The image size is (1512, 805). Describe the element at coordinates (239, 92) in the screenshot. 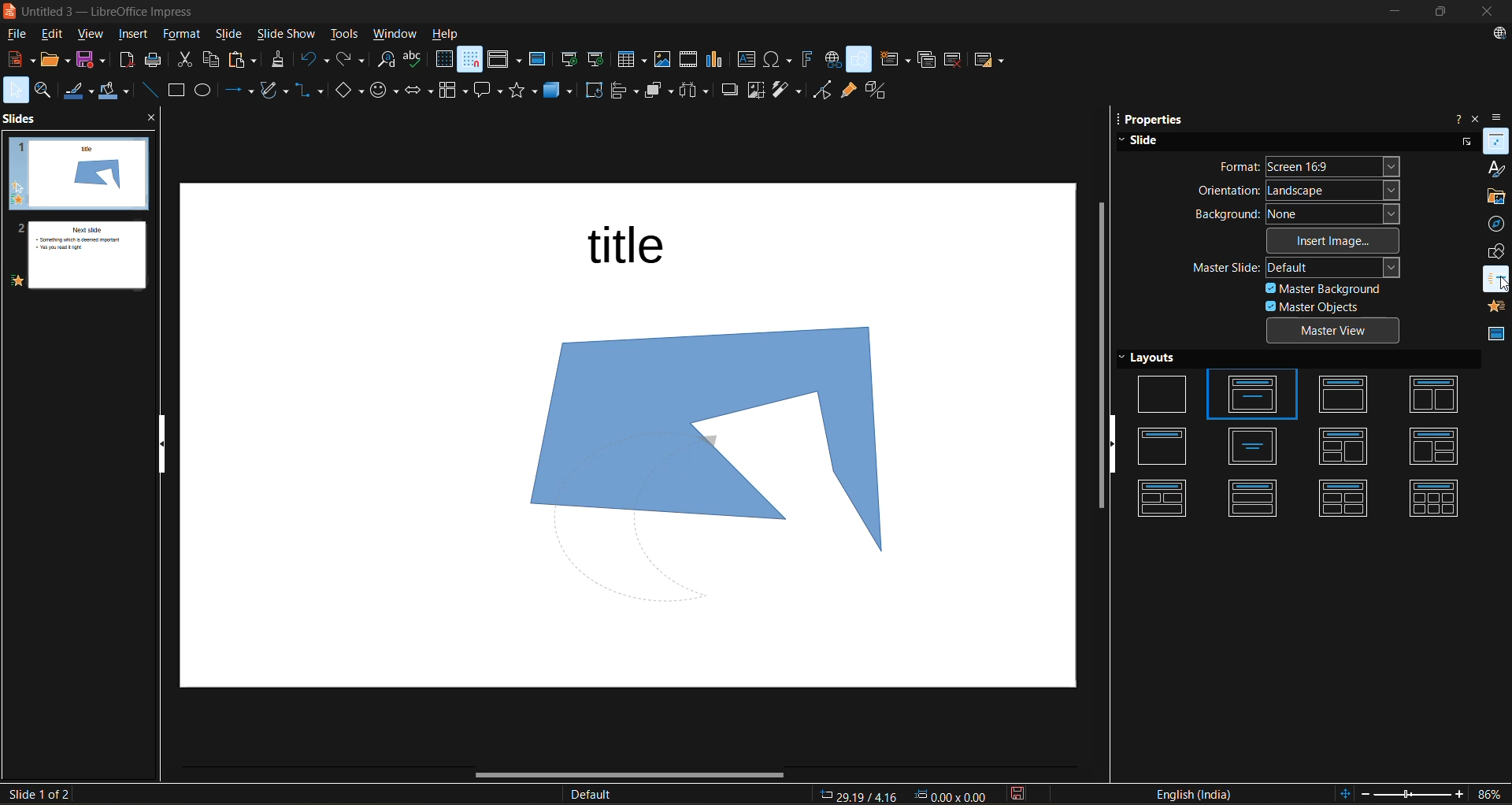

I see `lines and arrows` at that location.